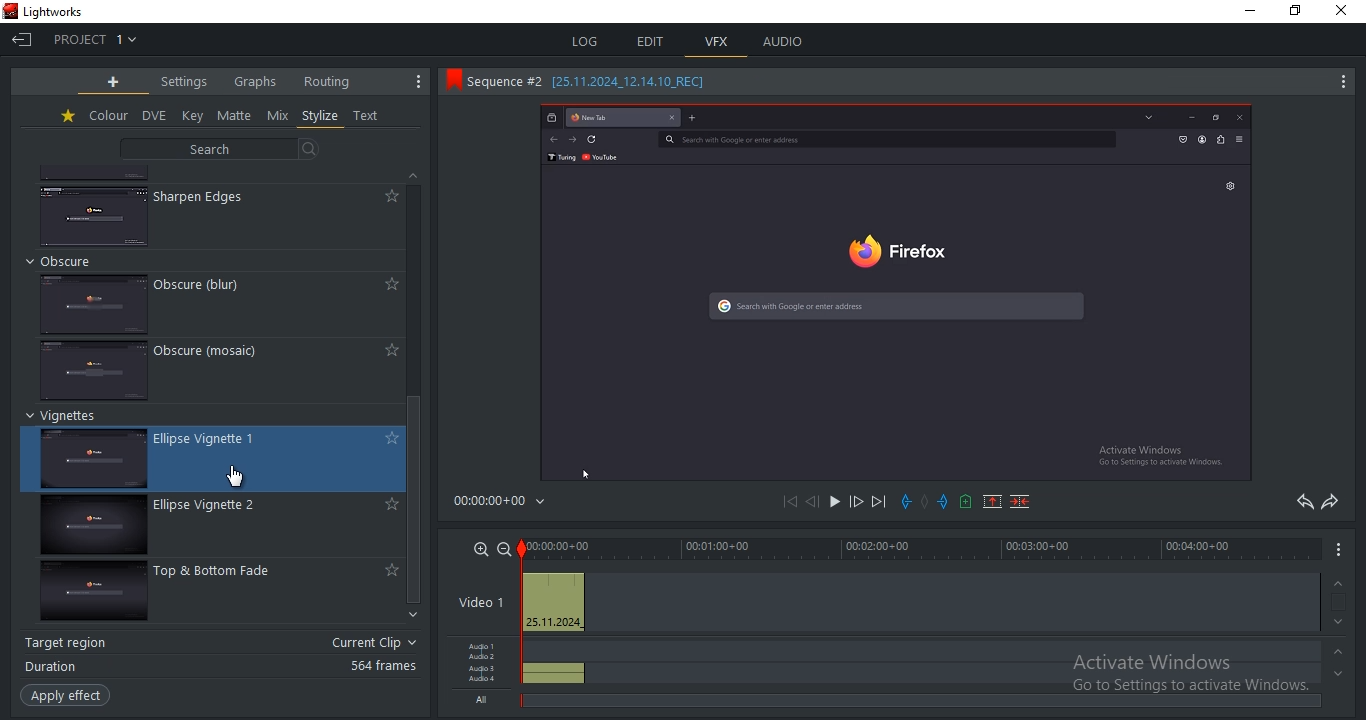 The height and width of the screenshot is (720, 1366). I want to click on obscure (blur), so click(203, 283).